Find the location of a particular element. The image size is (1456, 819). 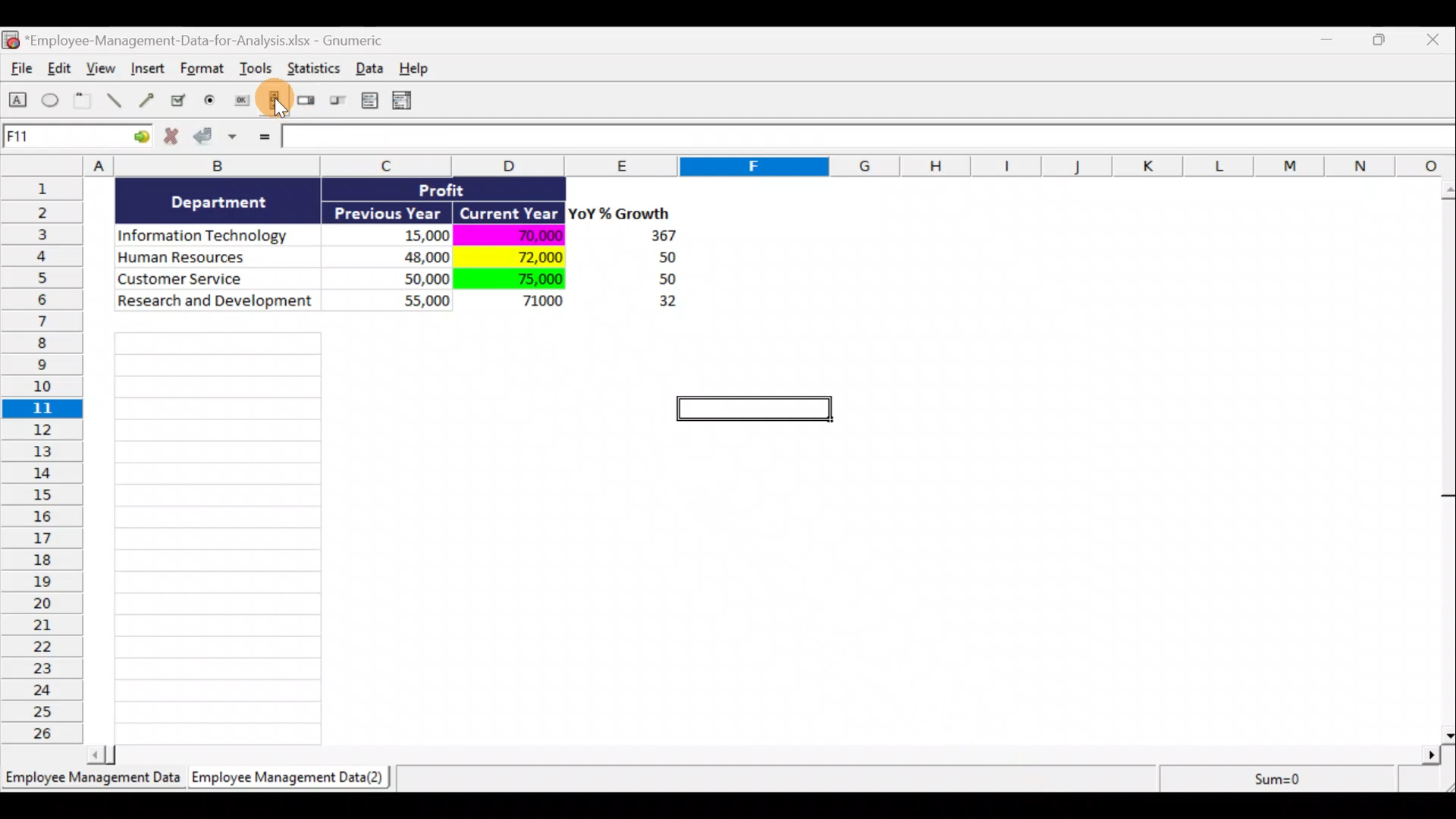

cursor is located at coordinates (281, 110).